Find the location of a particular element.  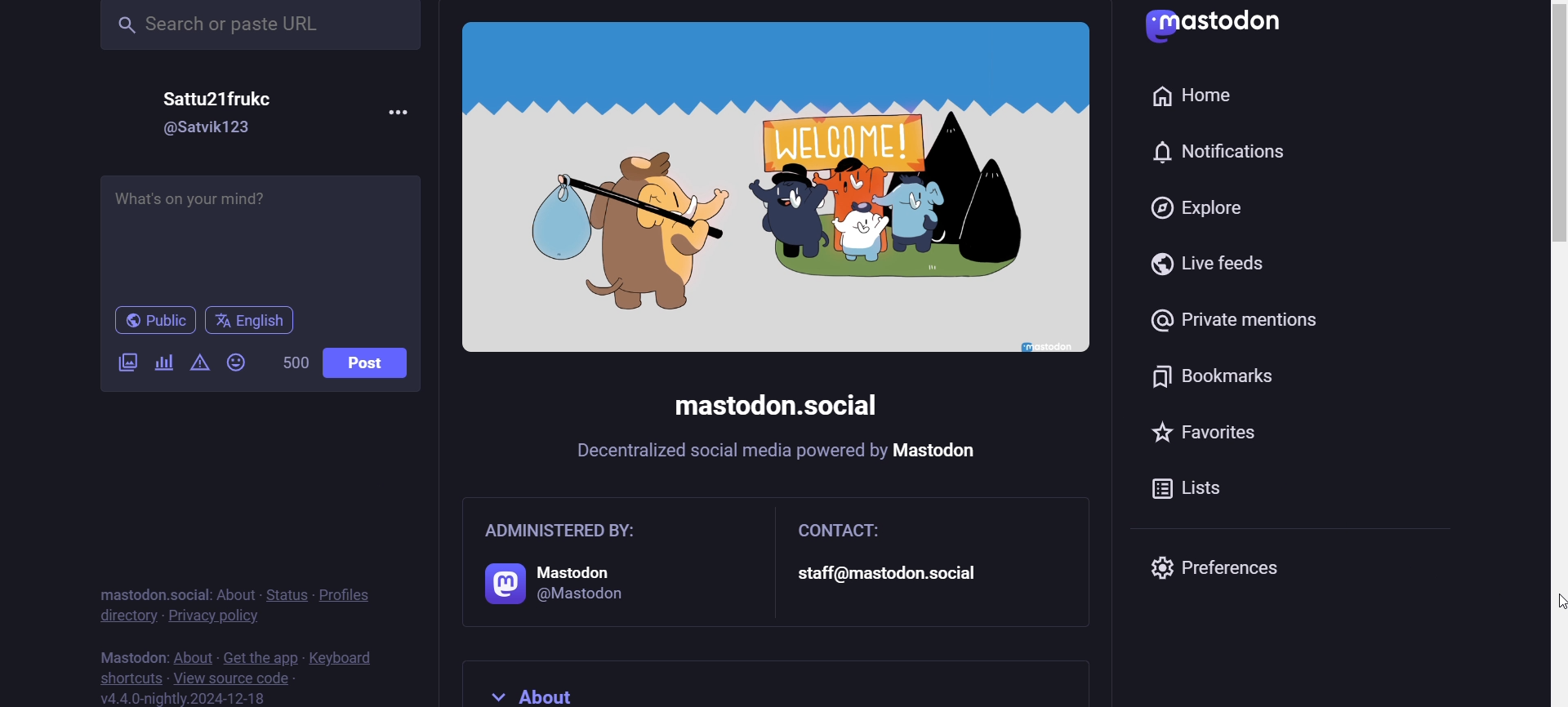

emoji is located at coordinates (239, 364).